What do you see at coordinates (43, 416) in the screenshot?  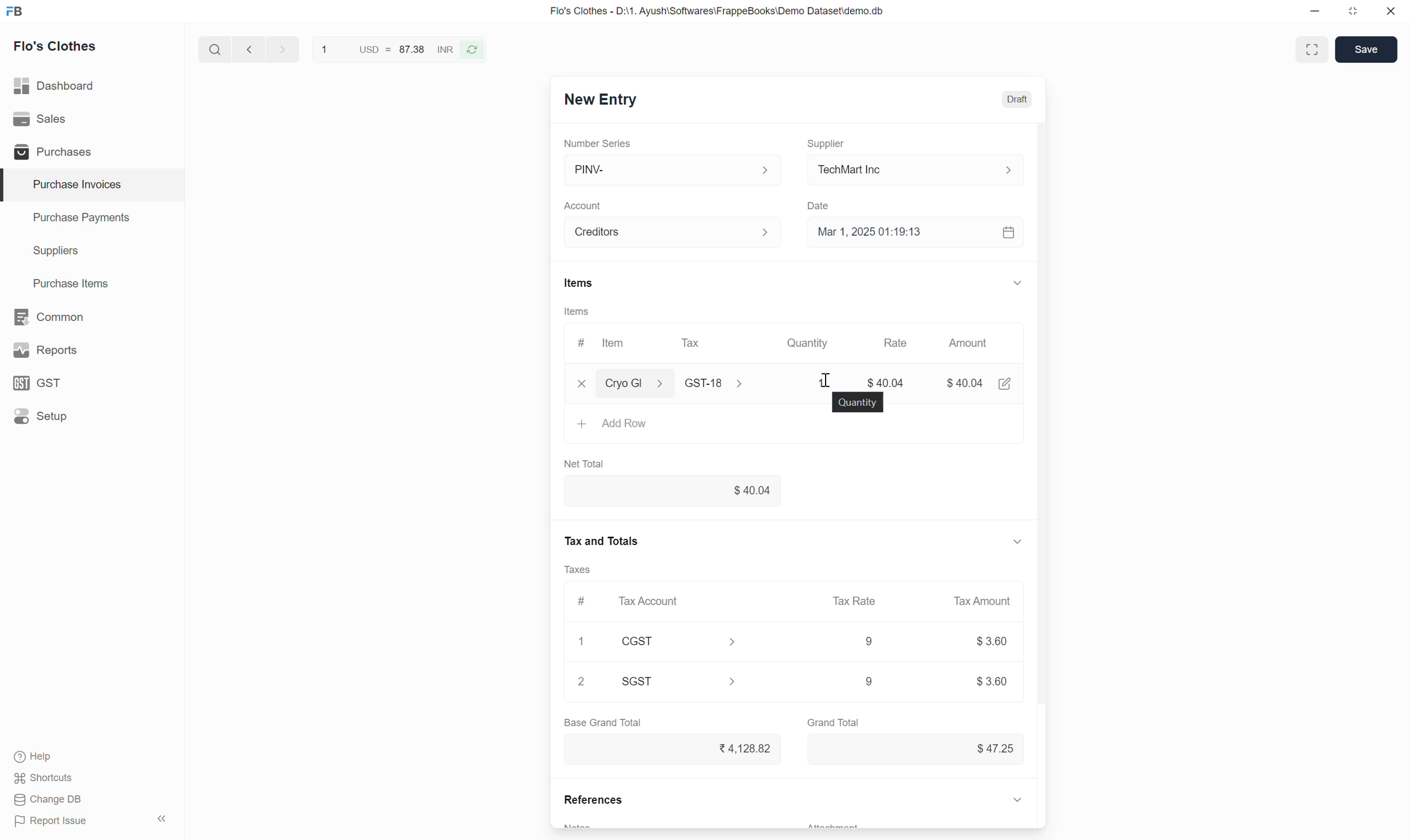 I see `Setup` at bounding box center [43, 416].